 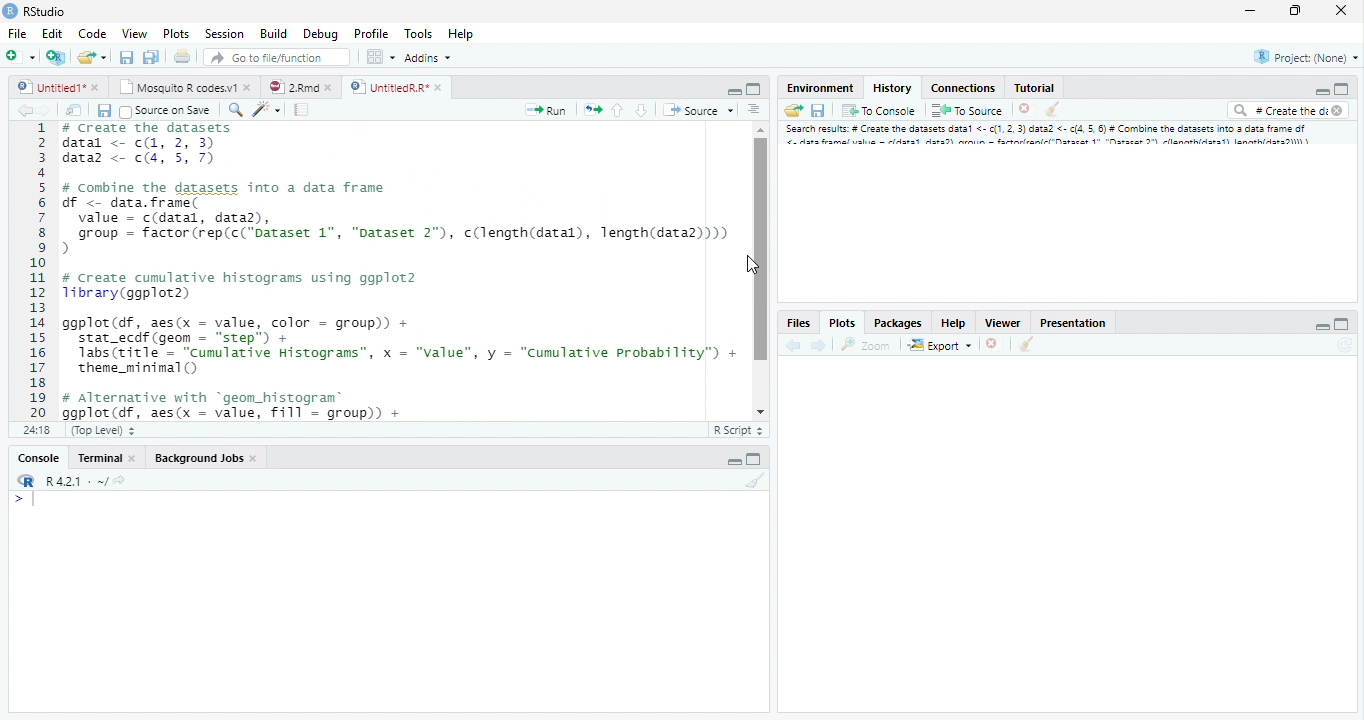 What do you see at coordinates (94, 57) in the screenshot?
I see `Create a new file` at bounding box center [94, 57].